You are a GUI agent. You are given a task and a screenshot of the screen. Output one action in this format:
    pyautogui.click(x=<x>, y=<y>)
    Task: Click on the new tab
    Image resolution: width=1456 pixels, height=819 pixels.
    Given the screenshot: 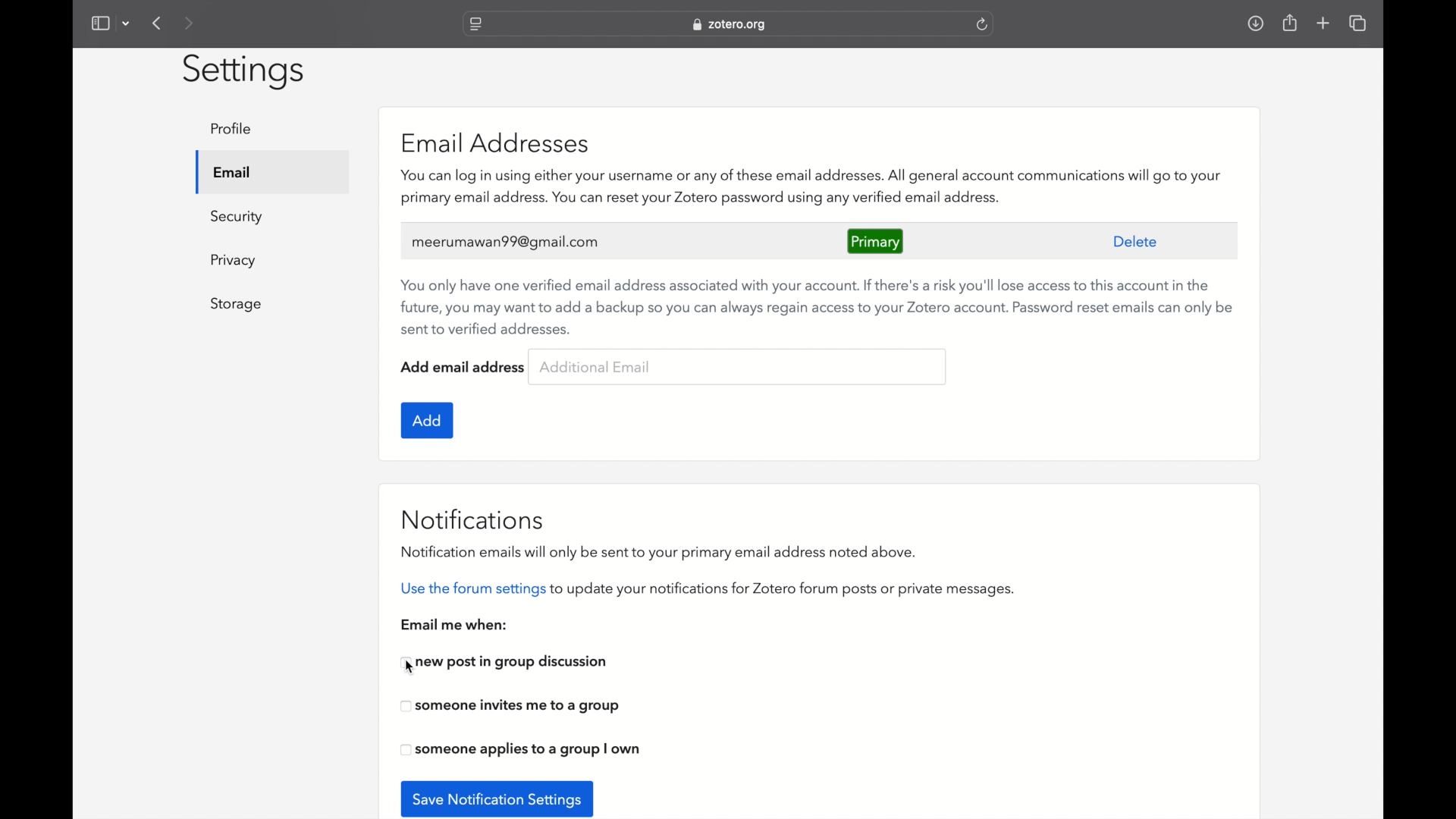 What is the action you would take?
    pyautogui.click(x=1323, y=23)
    